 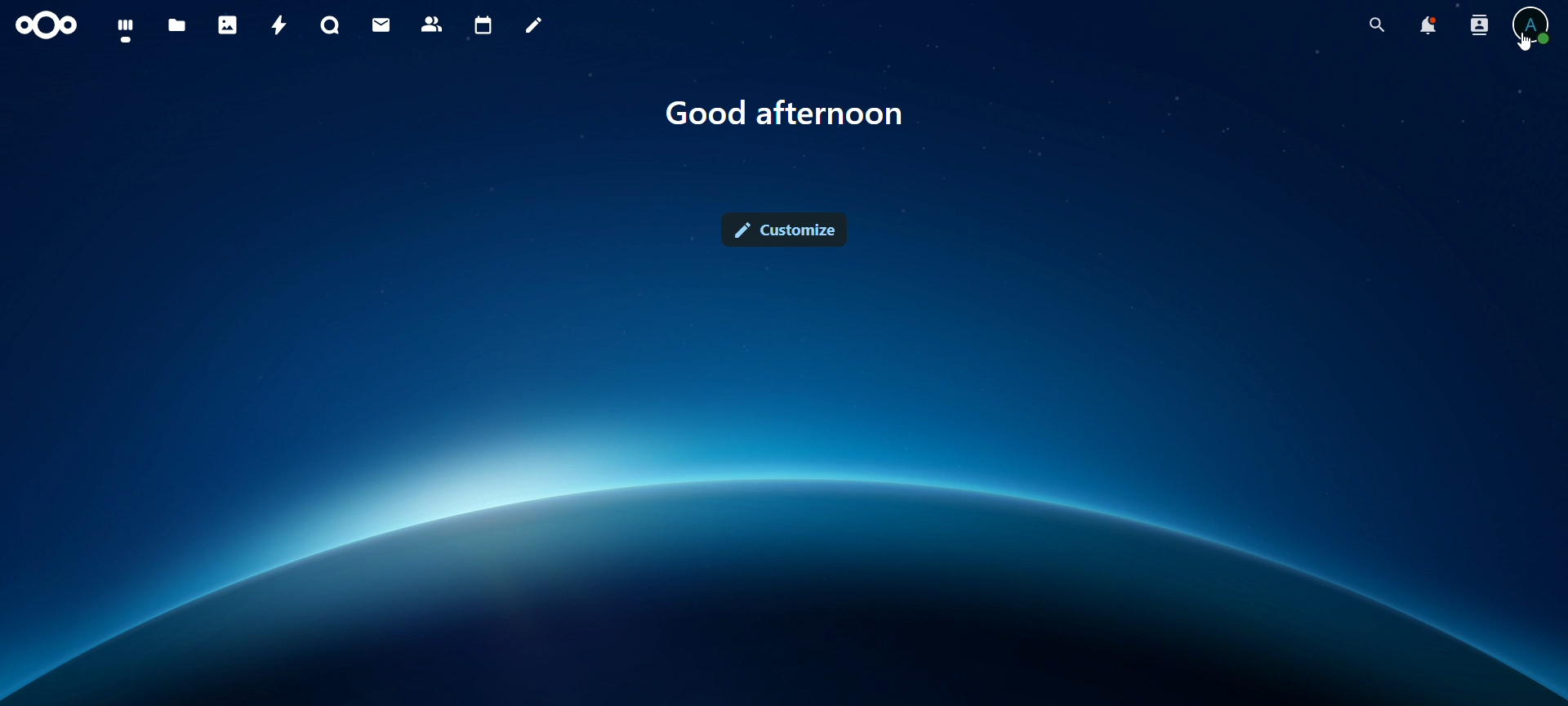 What do you see at coordinates (1430, 27) in the screenshot?
I see `notifications` at bounding box center [1430, 27].